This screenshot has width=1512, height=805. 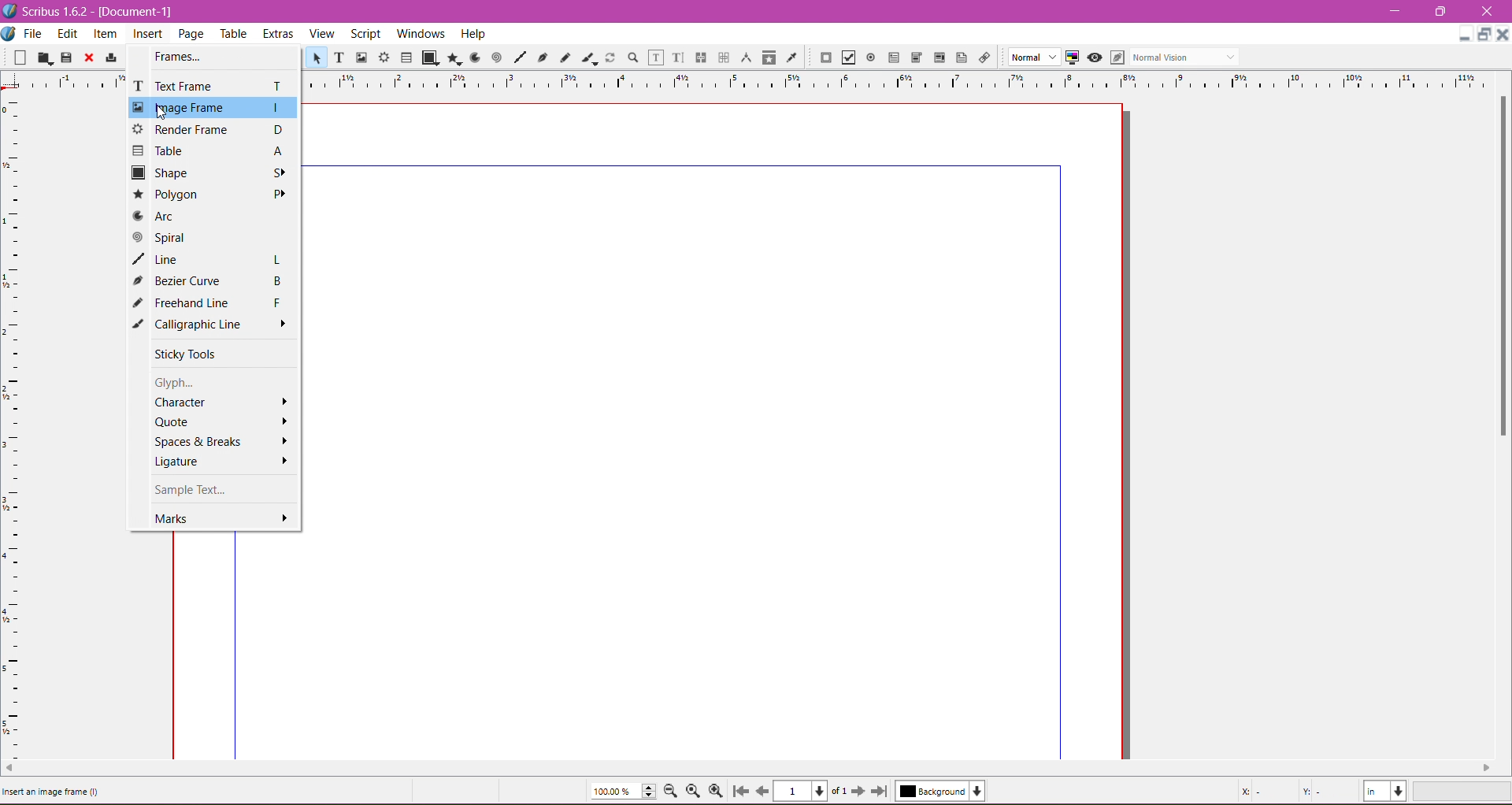 I want to click on Select the current unit, so click(x=1385, y=792).